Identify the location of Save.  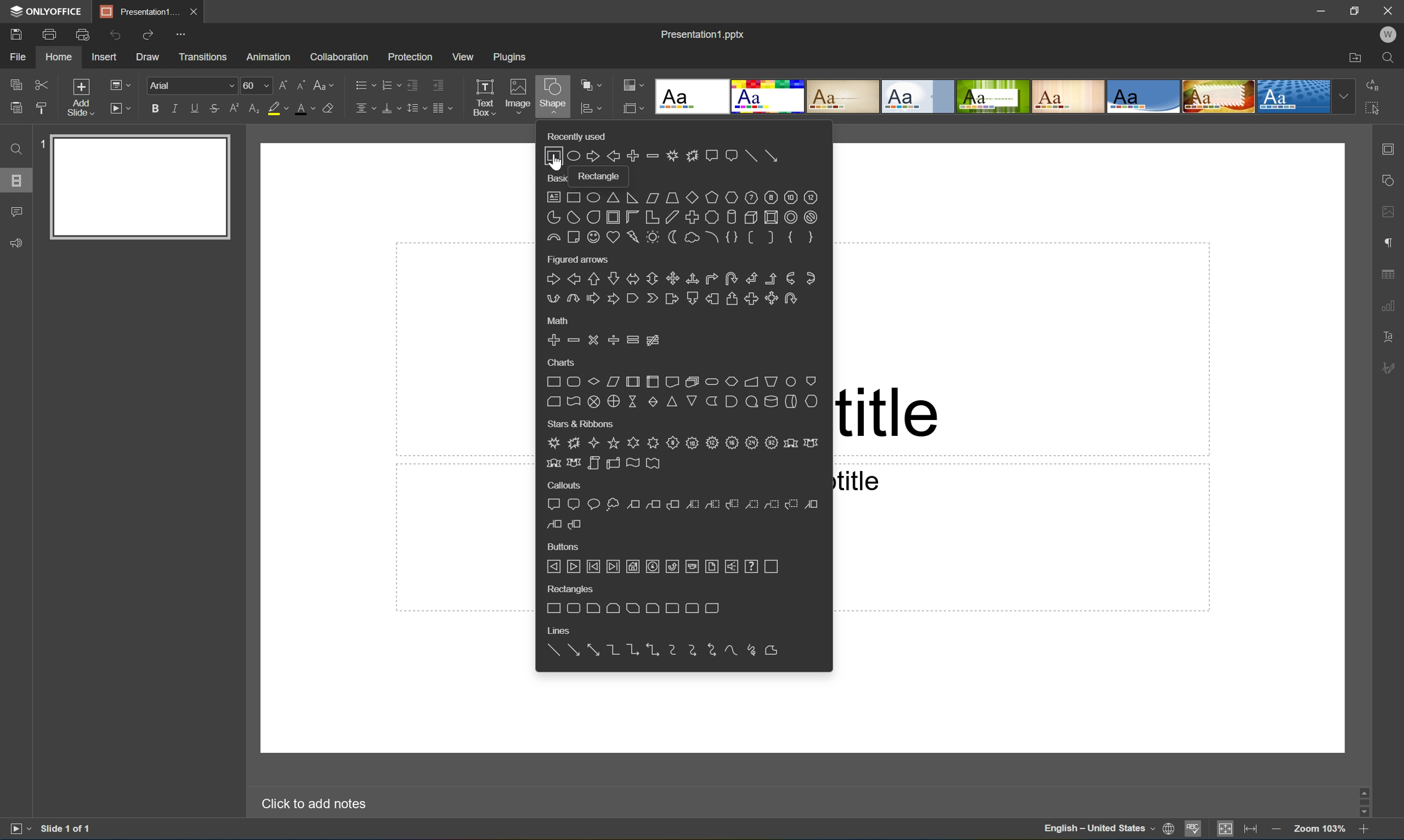
(19, 35).